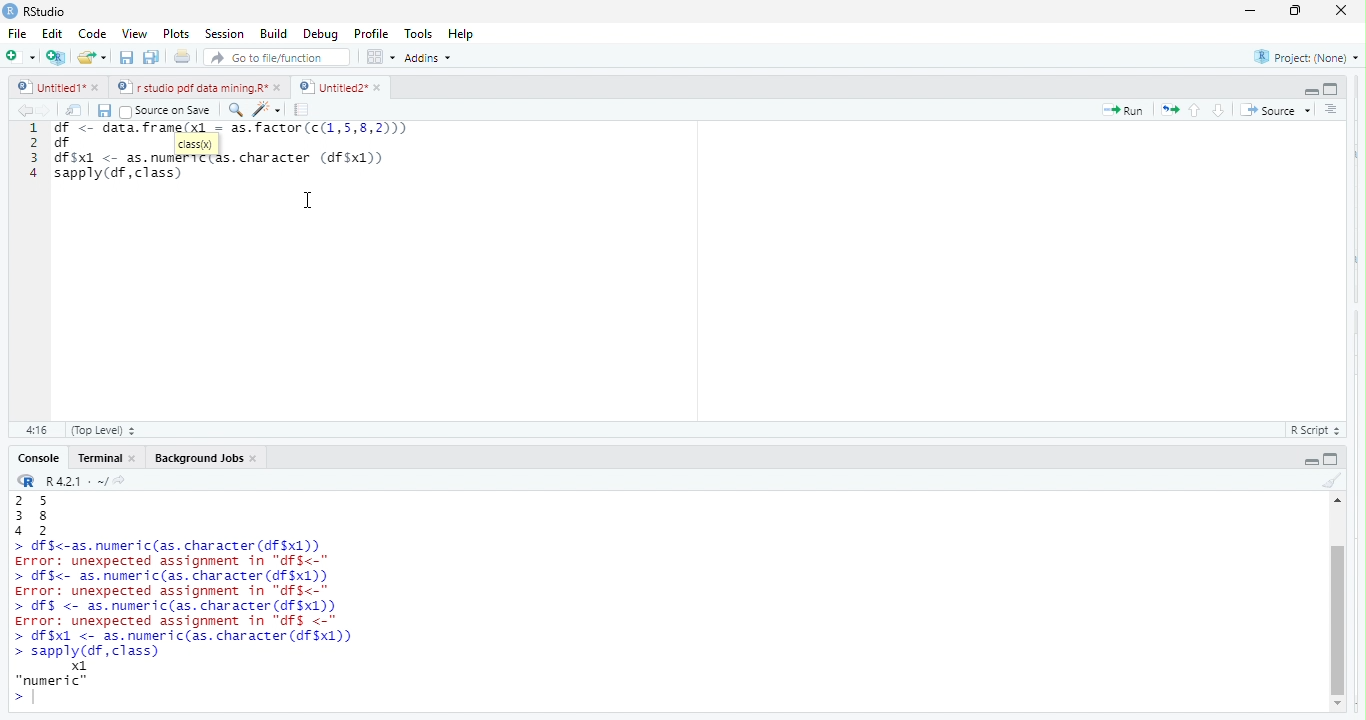 The image size is (1366, 720). What do you see at coordinates (41, 458) in the screenshot?
I see `Console` at bounding box center [41, 458].